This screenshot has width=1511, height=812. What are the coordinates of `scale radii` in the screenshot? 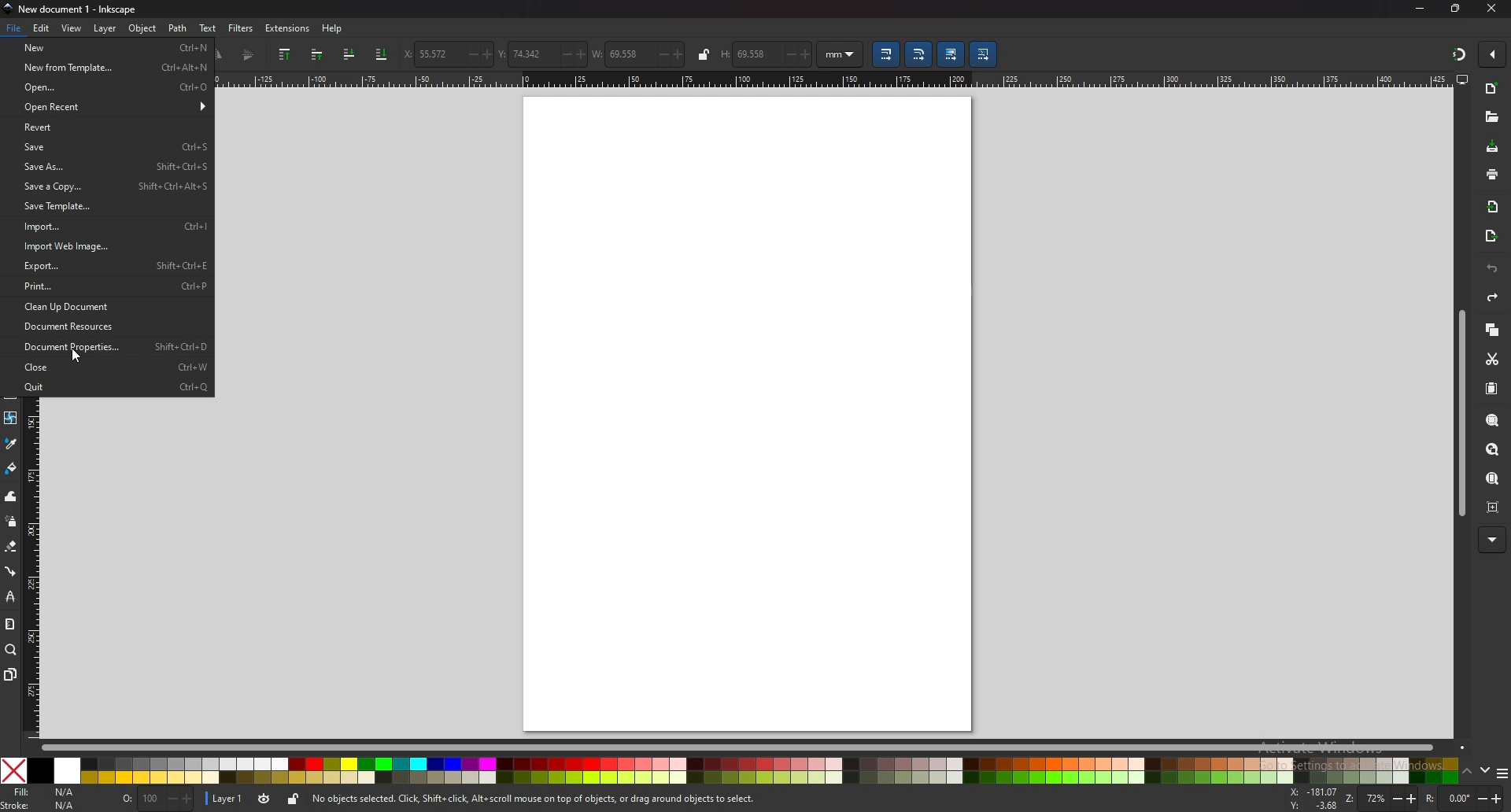 It's located at (918, 54).